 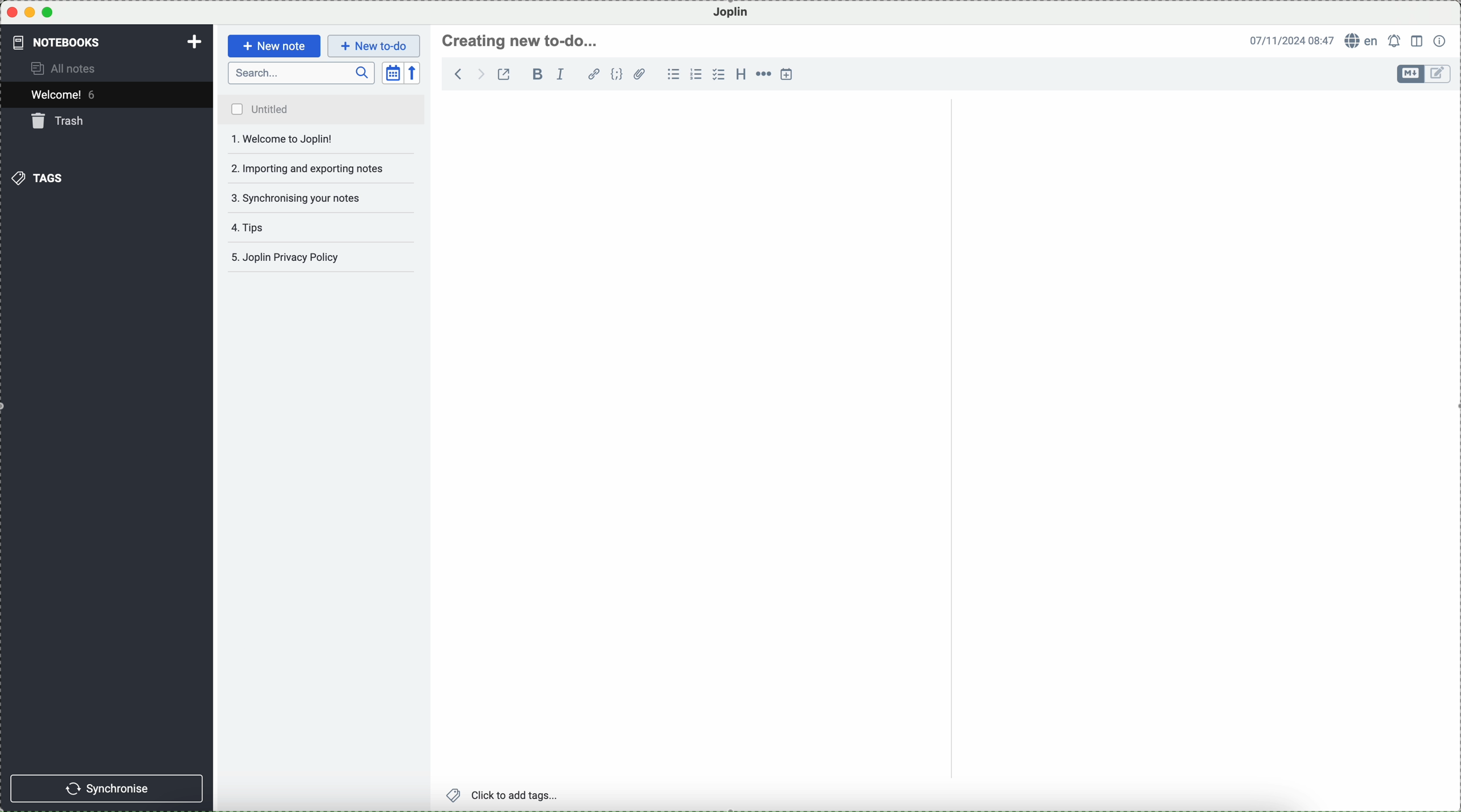 What do you see at coordinates (321, 139) in the screenshot?
I see `welcome to Joplin` at bounding box center [321, 139].